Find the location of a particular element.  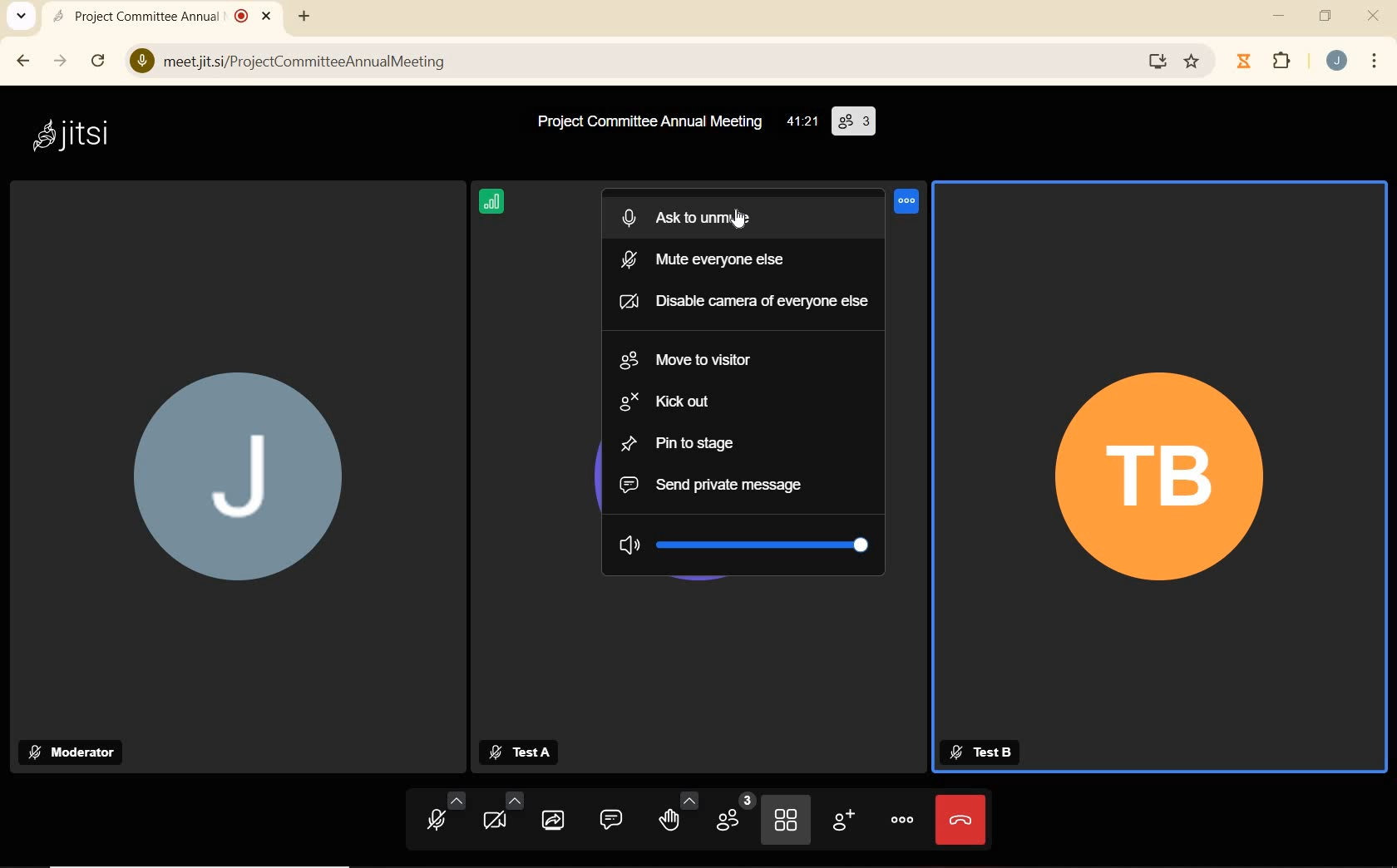

PARTICIPANTS is located at coordinates (735, 814).